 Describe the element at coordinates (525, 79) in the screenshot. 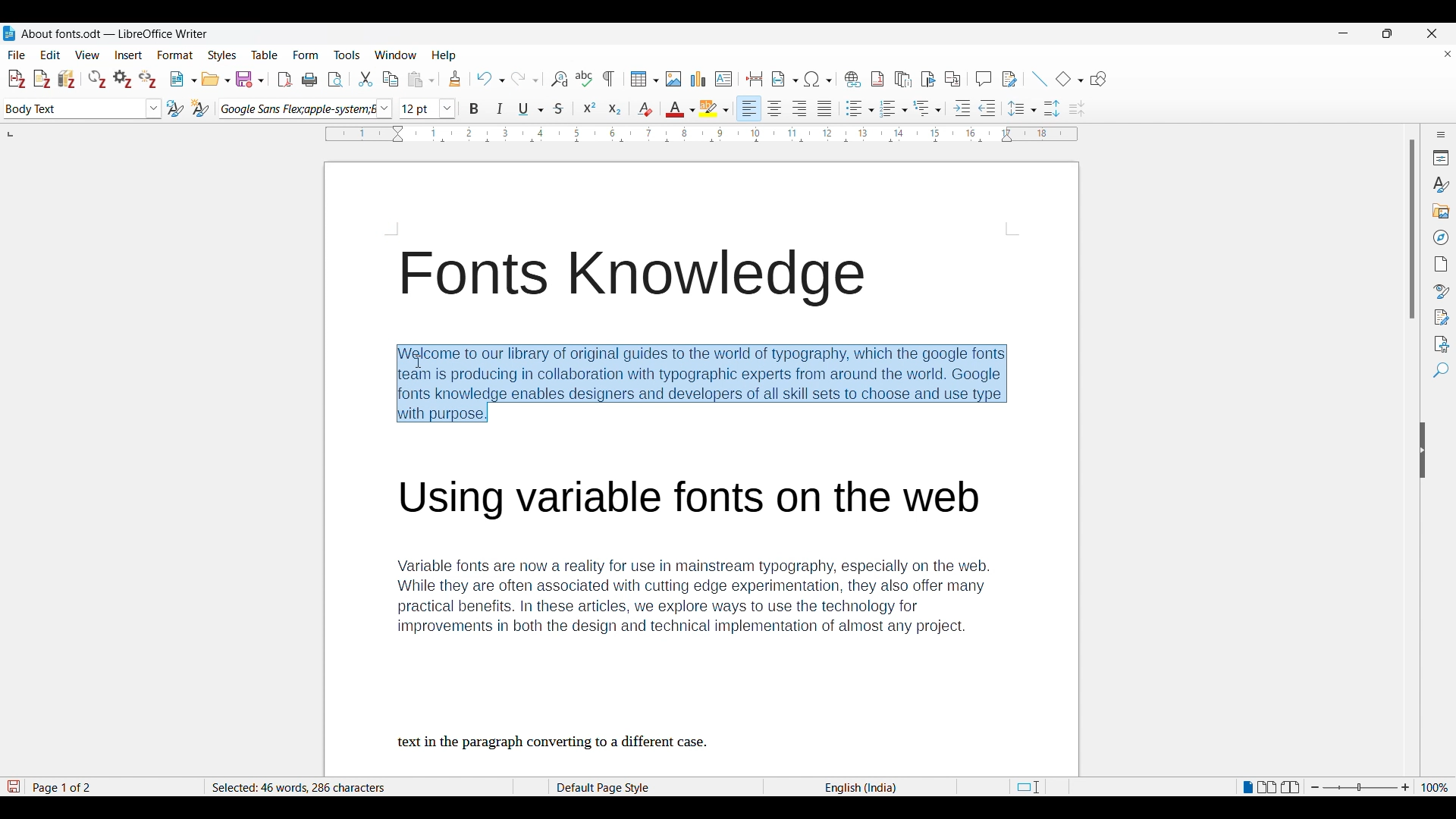

I see `Redo` at that location.